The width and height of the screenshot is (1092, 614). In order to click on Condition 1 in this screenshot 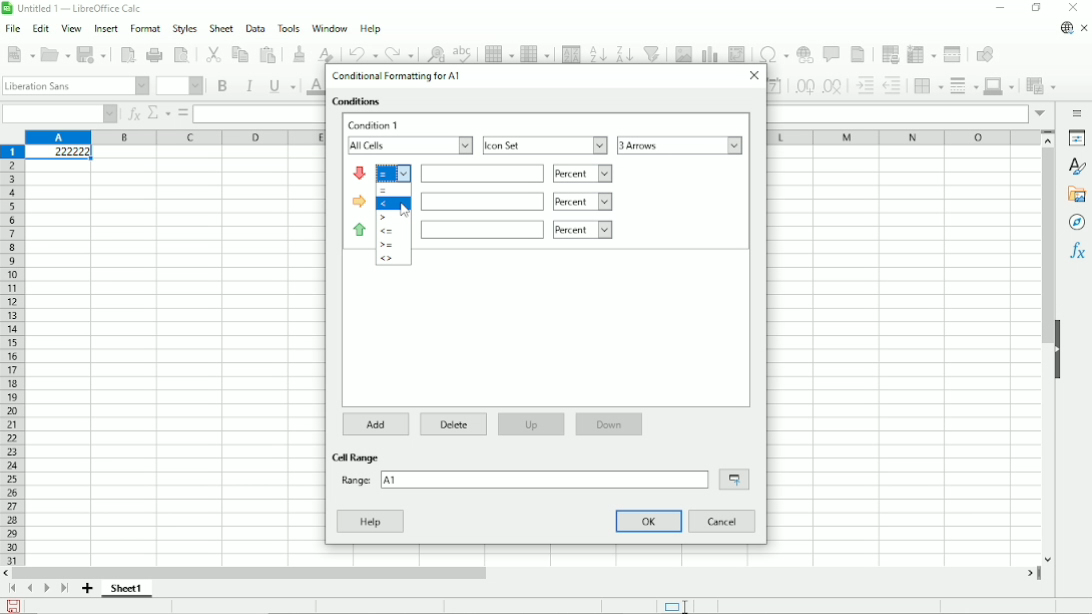, I will do `click(376, 125)`.